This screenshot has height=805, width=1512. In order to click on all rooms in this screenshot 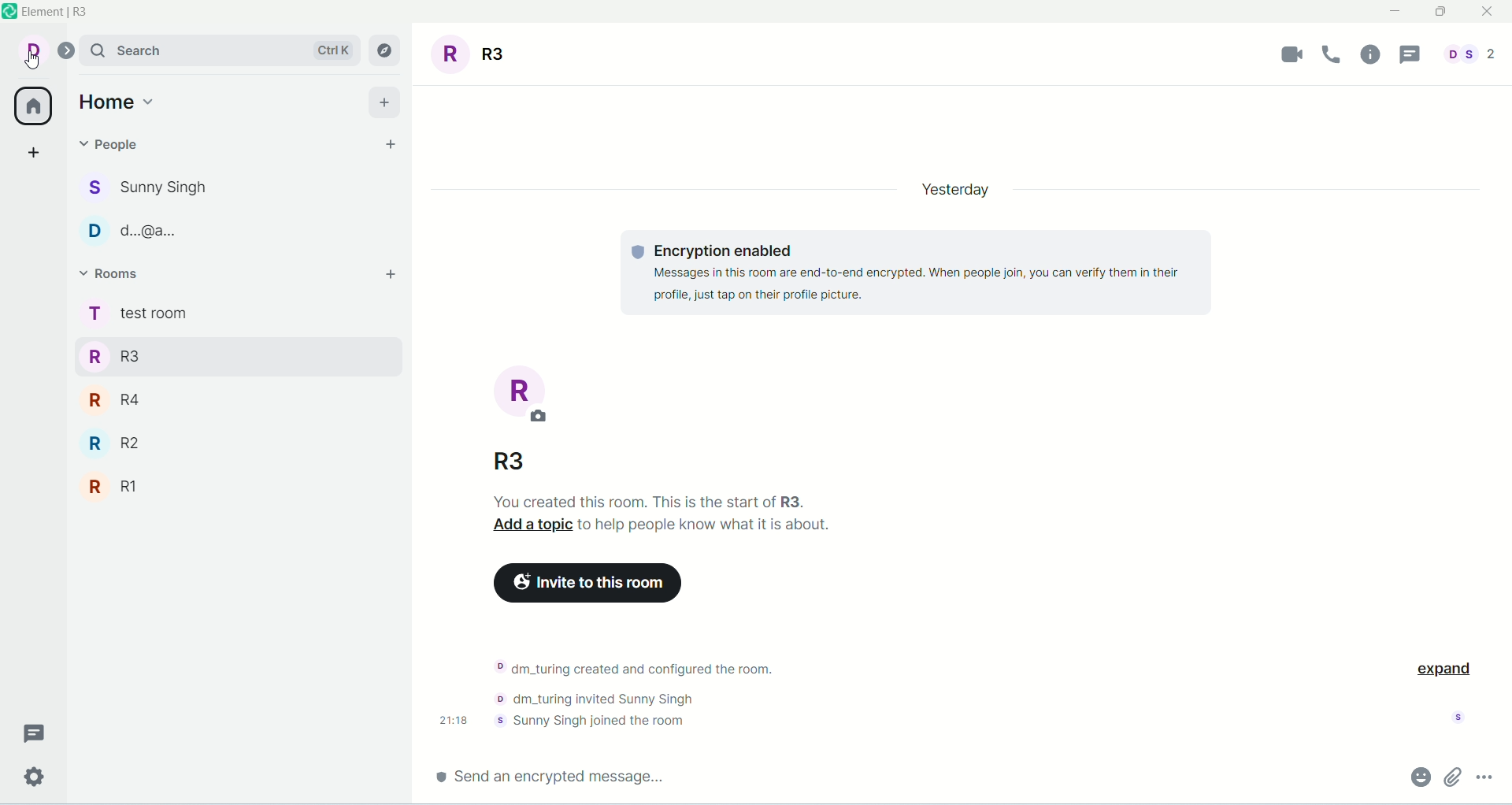, I will do `click(29, 106)`.